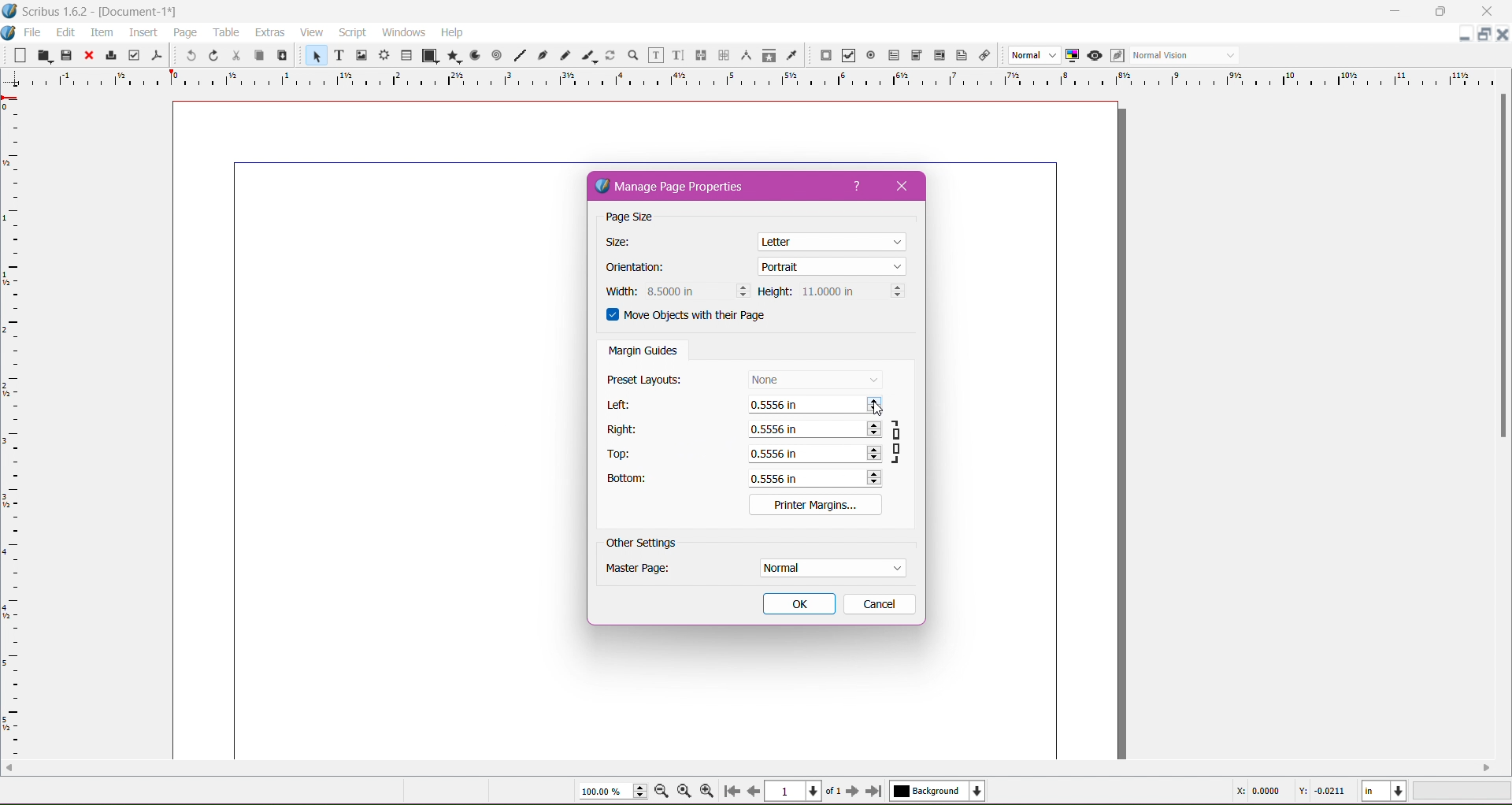 This screenshot has width=1512, height=805. What do you see at coordinates (815, 406) in the screenshot?
I see `Set left margin` at bounding box center [815, 406].